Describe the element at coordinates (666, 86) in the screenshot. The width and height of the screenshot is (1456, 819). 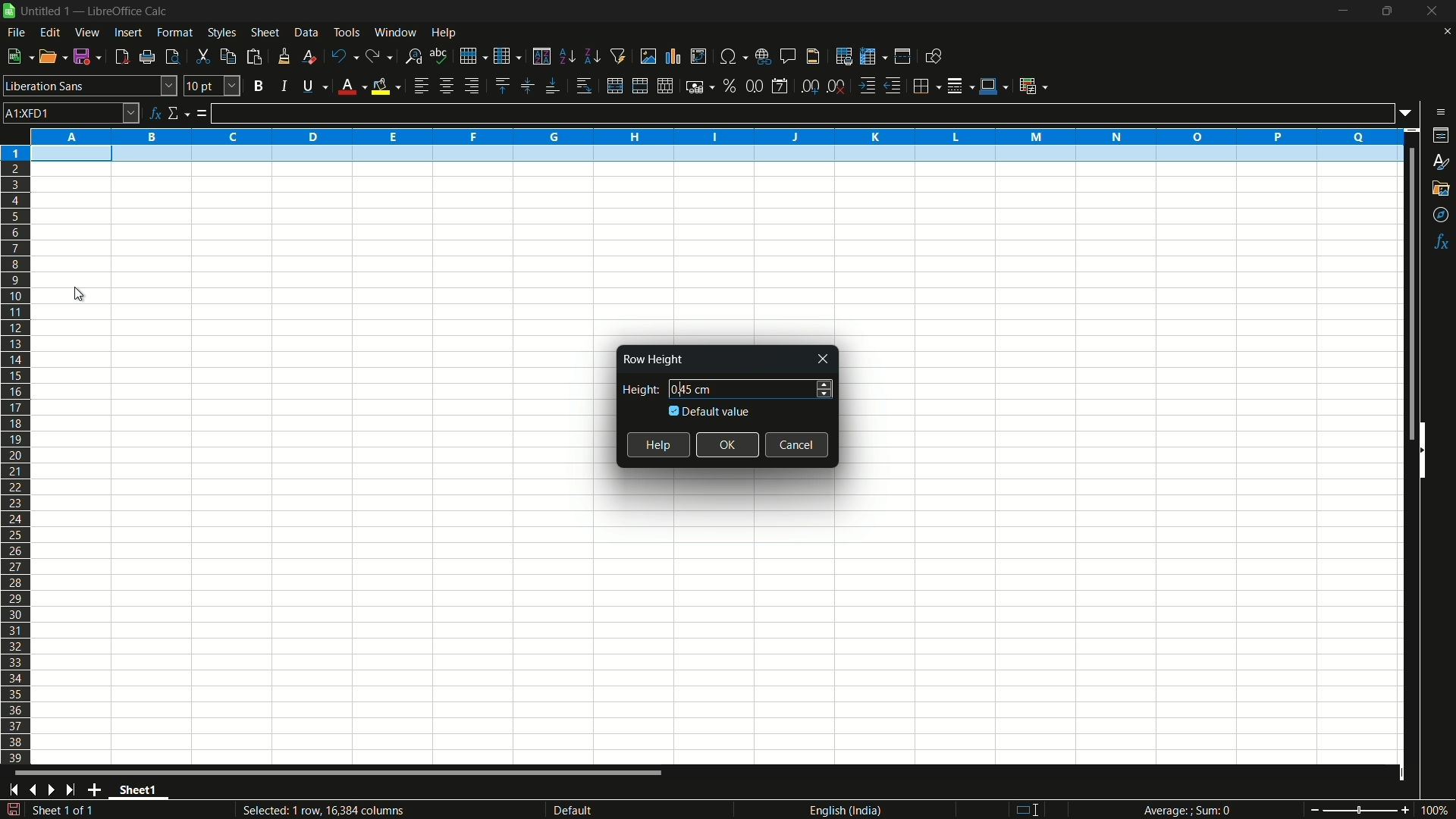
I see `unmerge cells` at that location.